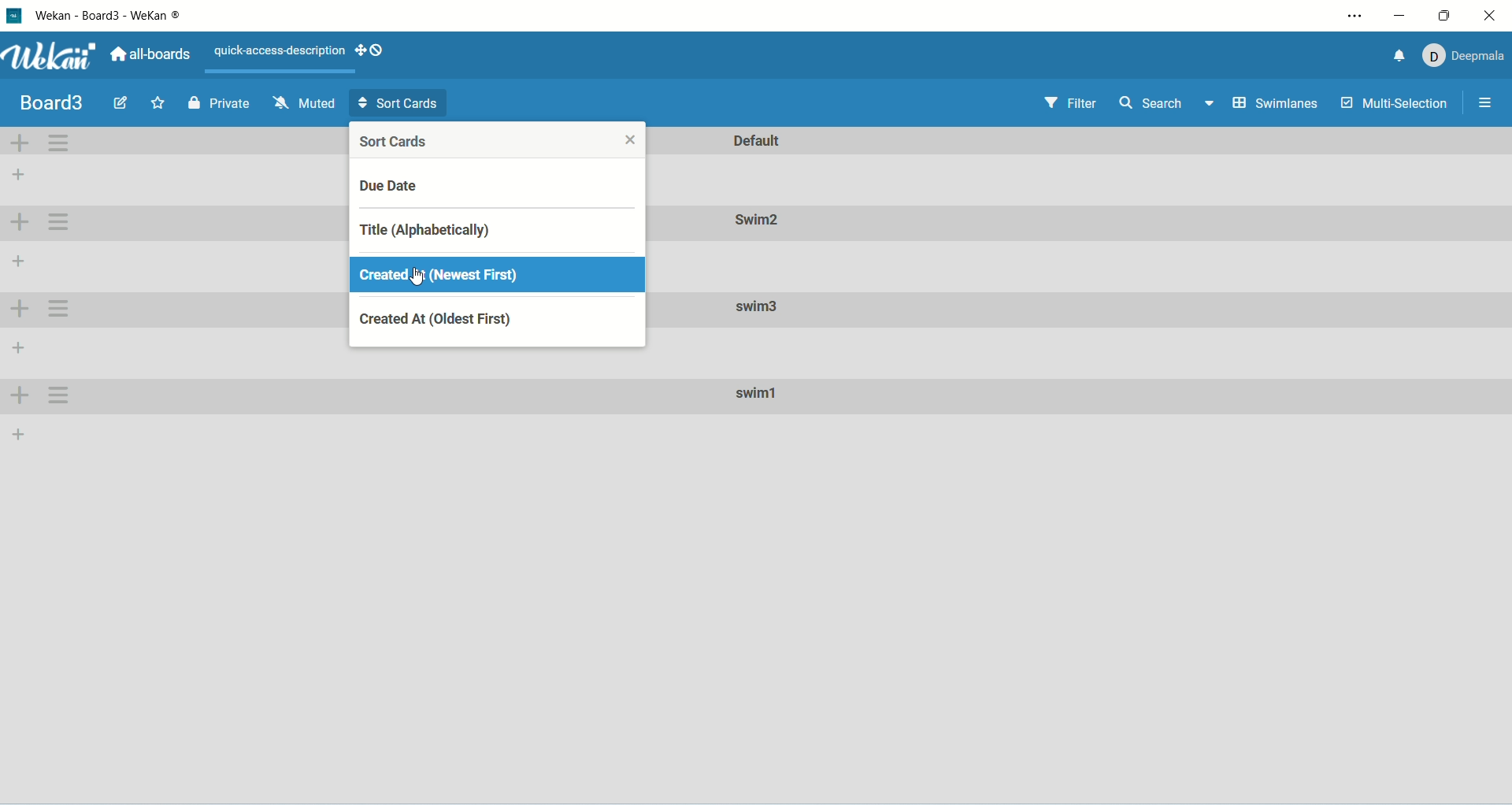 The width and height of the screenshot is (1512, 805). I want to click on edit, so click(121, 101).